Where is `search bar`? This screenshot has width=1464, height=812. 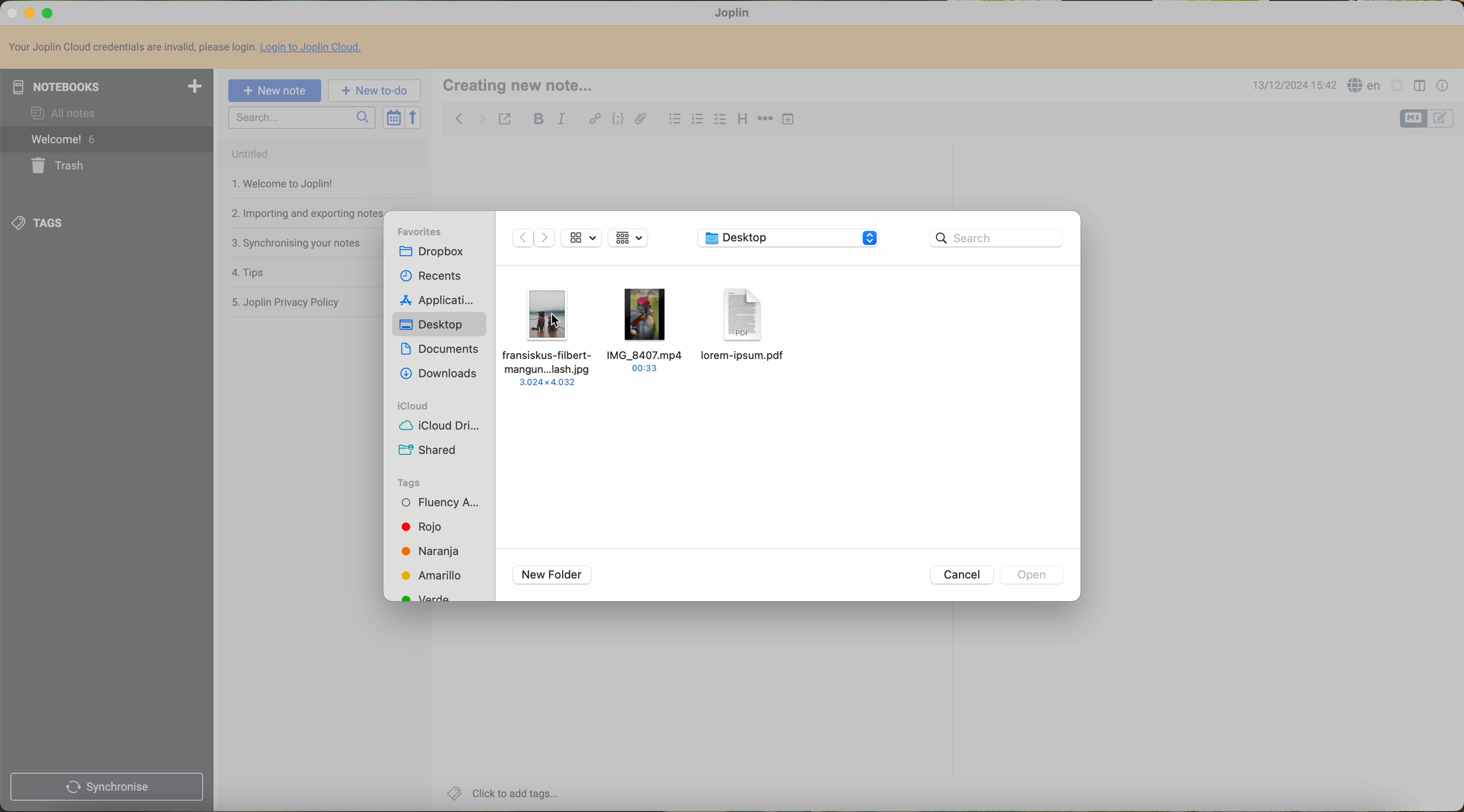 search bar is located at coordinates (302, 118).